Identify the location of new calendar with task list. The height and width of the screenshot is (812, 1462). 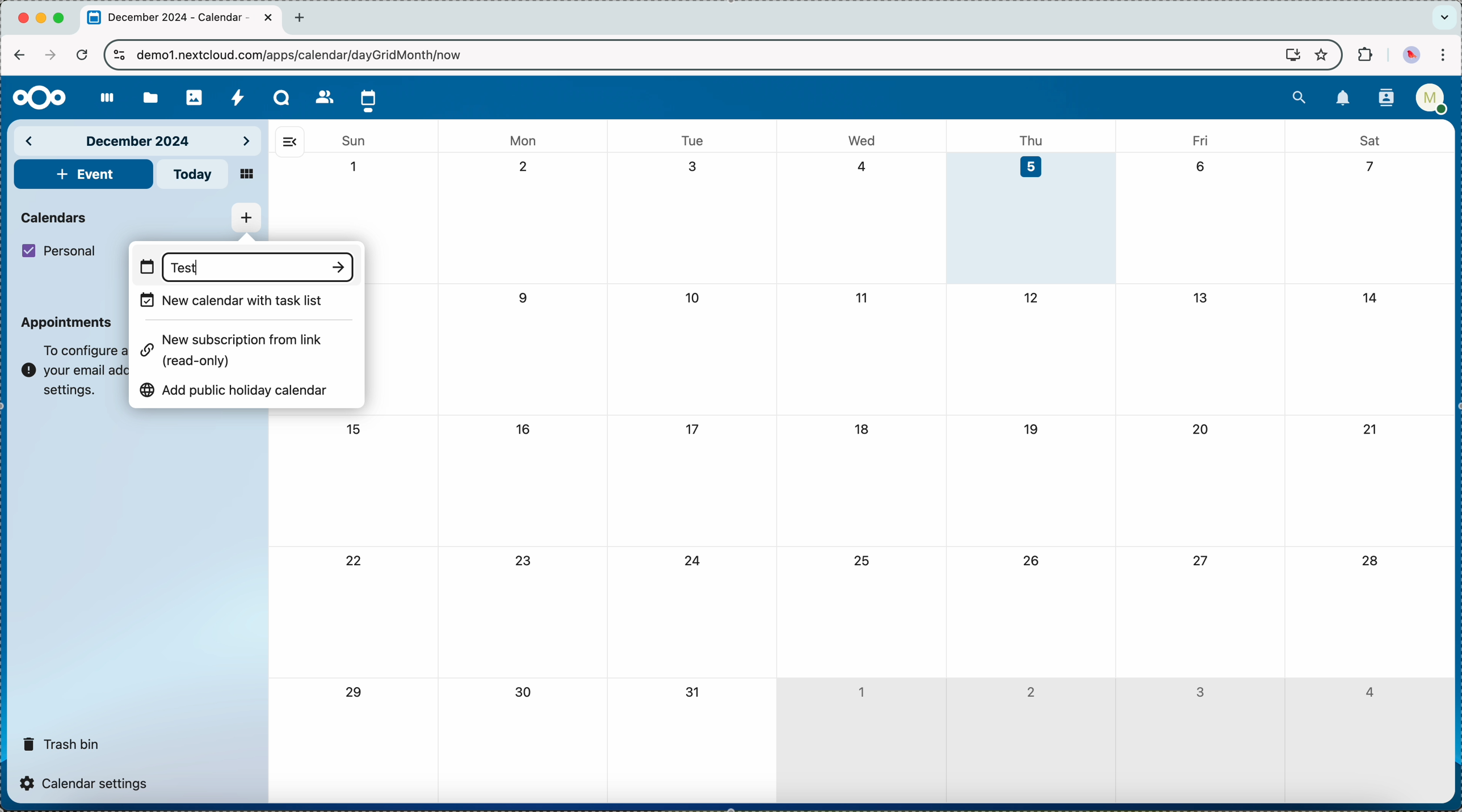
(233, 301).